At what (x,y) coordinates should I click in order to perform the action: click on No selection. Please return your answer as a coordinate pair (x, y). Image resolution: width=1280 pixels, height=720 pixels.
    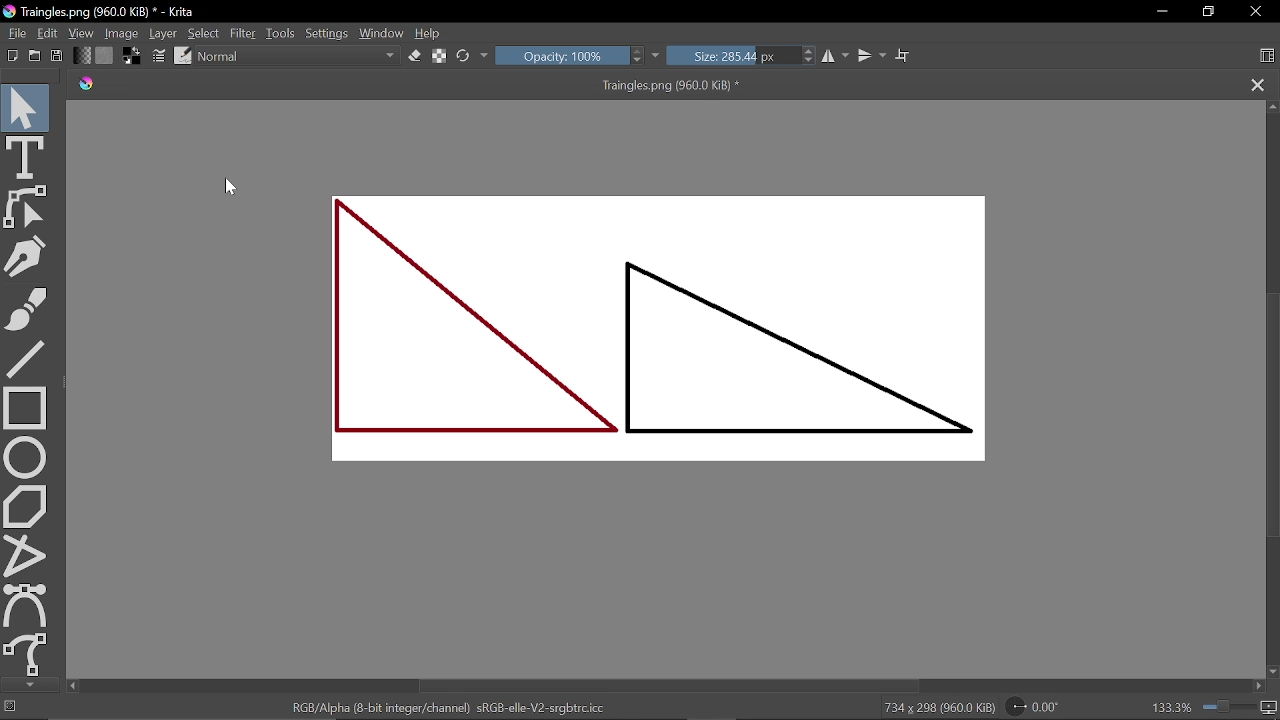
    Looking at the image, I should click on (12, 708).